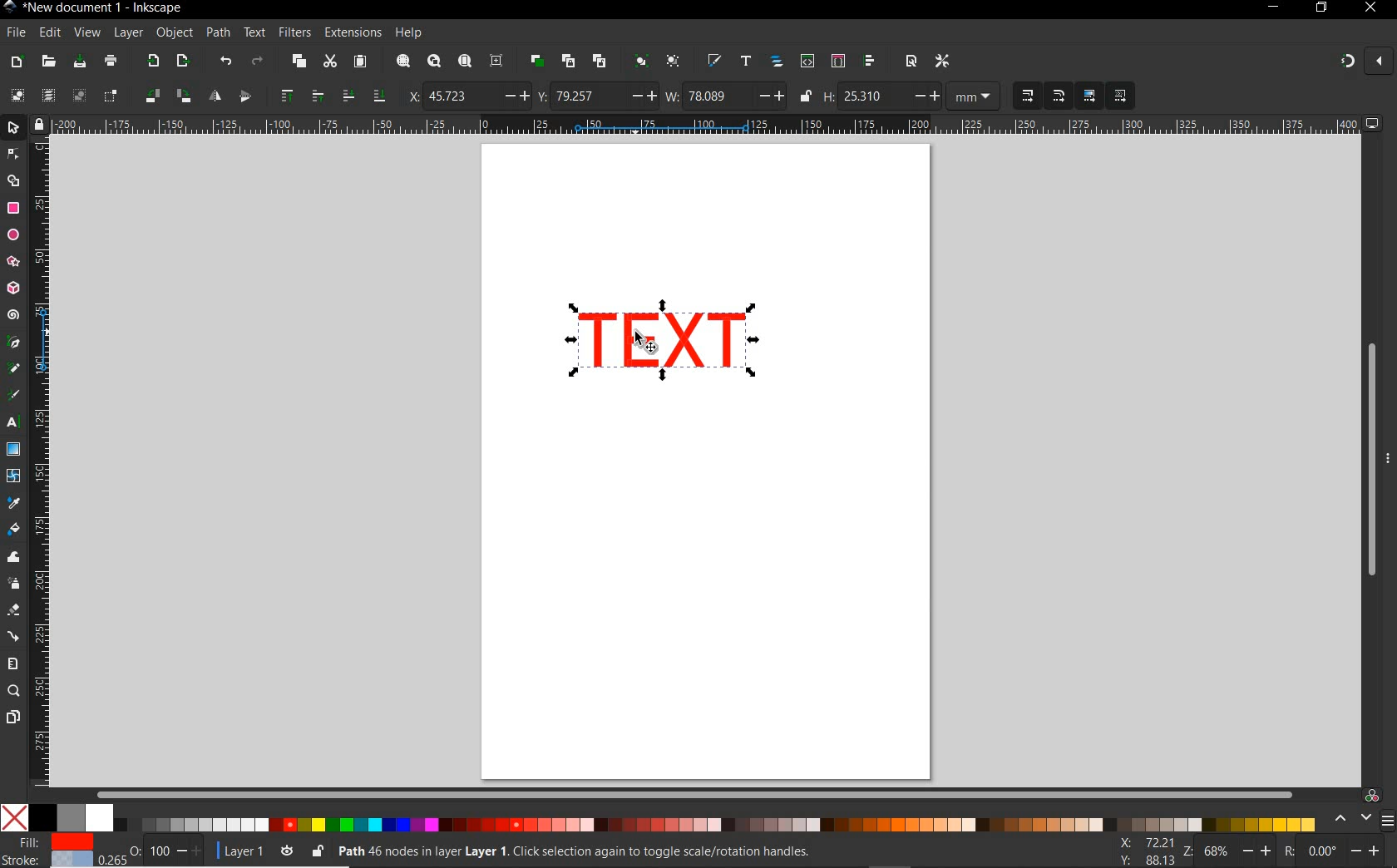  What do you see at coordinates (175, 35) in the screenshot?
I see `OBJECT` at bounding box center [175, 35].